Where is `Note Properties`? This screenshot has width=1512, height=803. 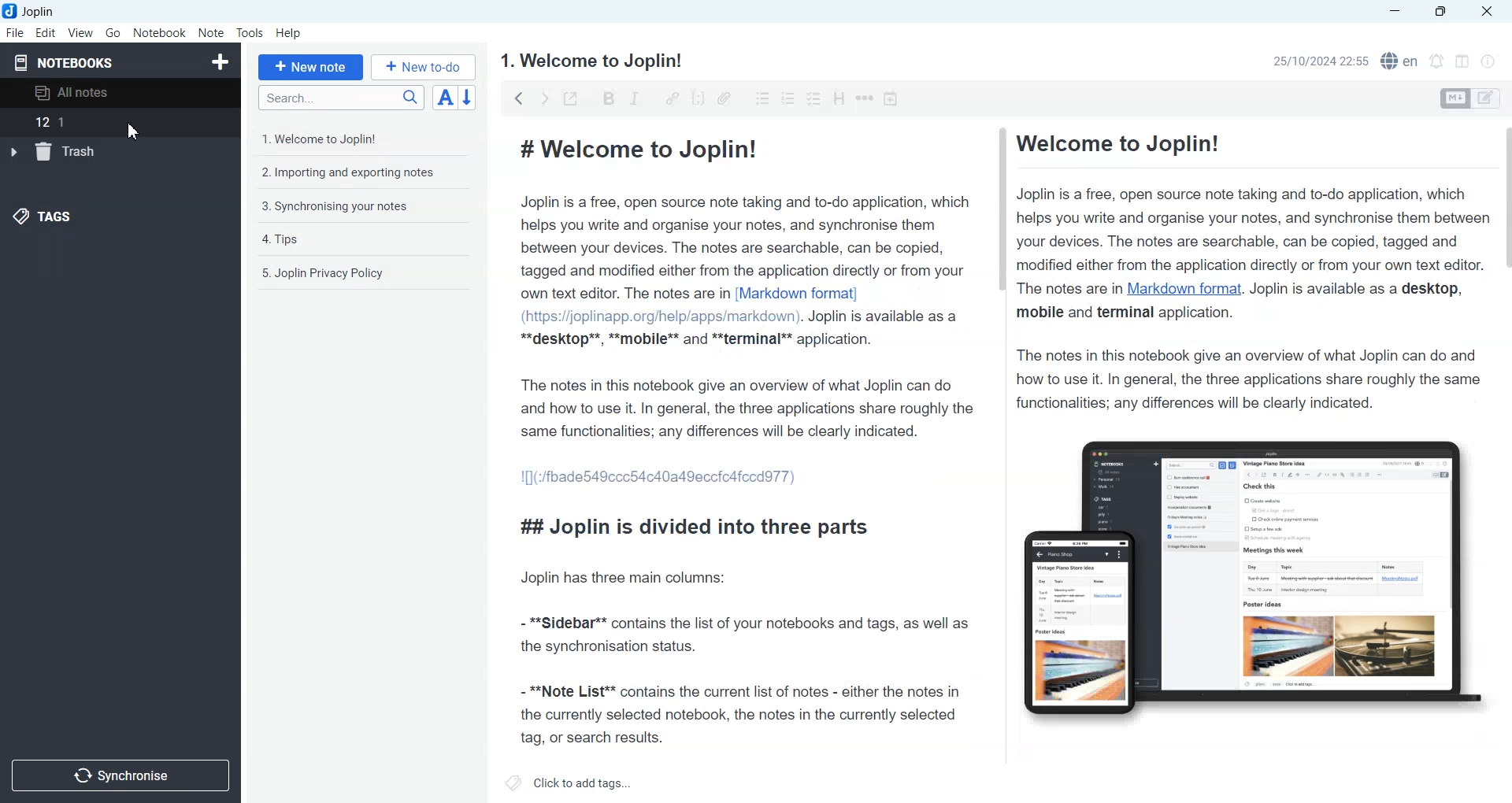
Note Properties is located at coordinates (1488, 61).